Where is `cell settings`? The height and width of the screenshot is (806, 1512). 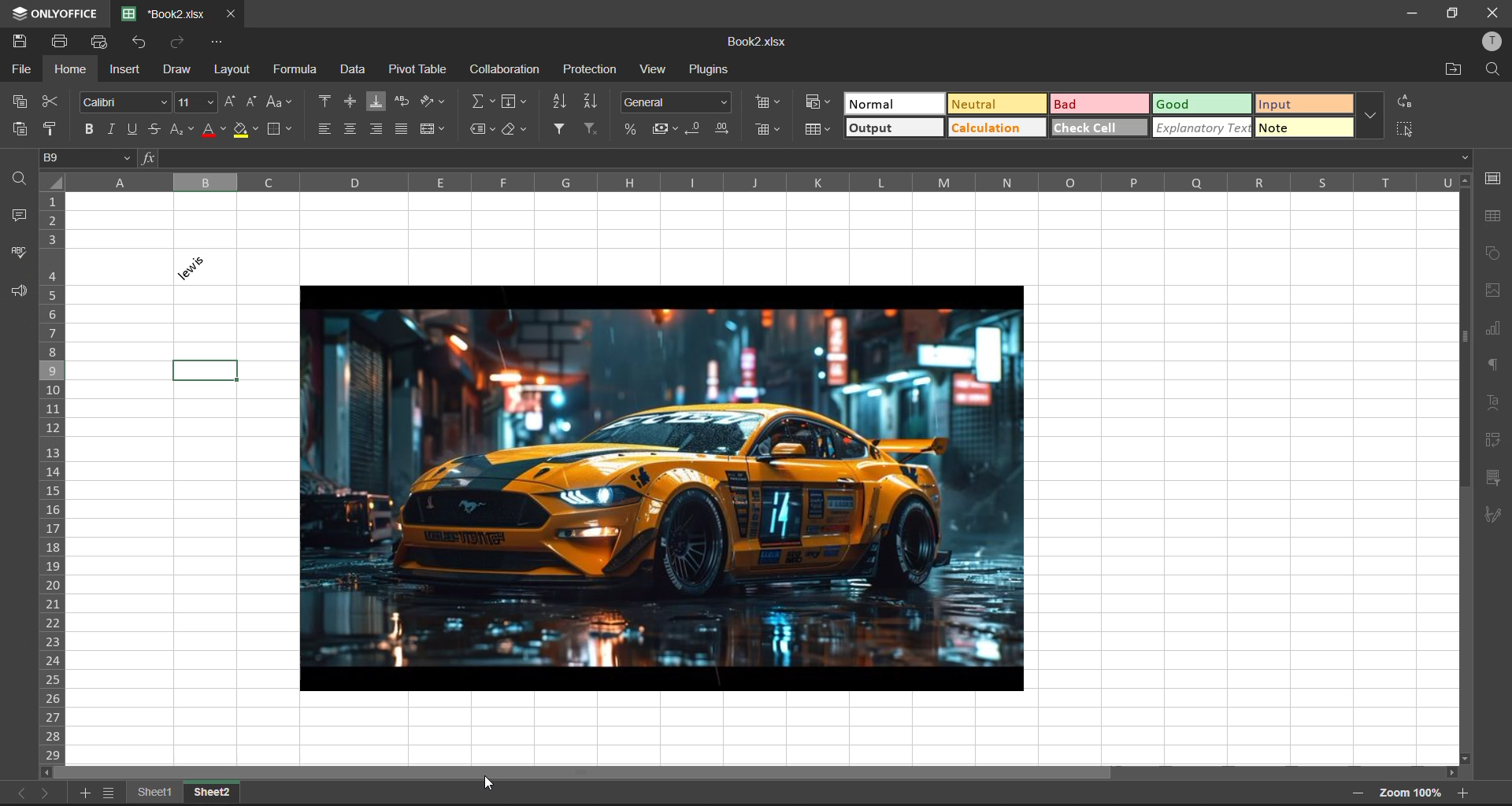
cell settings is located at coordinates (1493, 179).